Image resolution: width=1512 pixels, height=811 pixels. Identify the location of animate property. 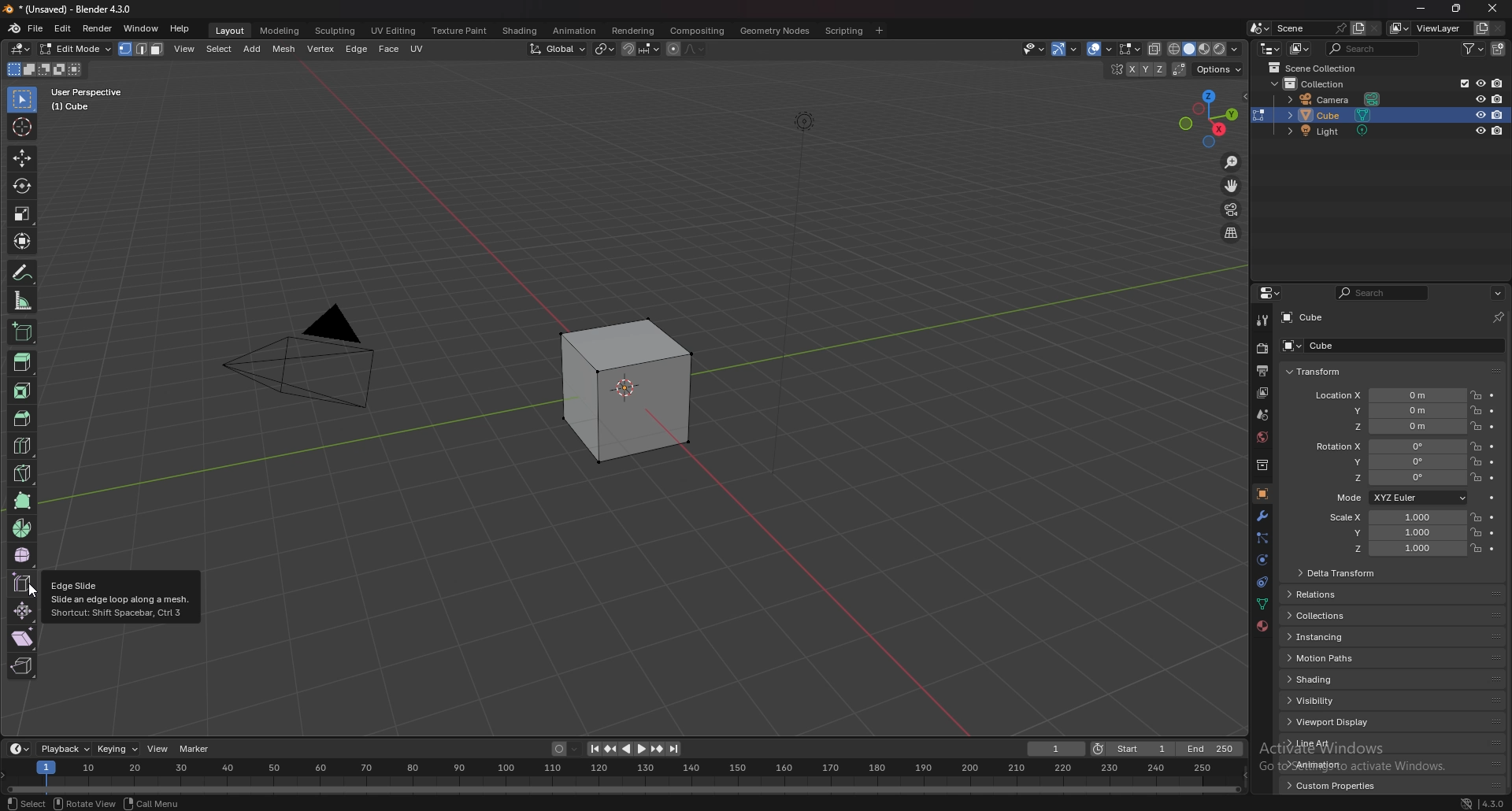
(1492, 396).